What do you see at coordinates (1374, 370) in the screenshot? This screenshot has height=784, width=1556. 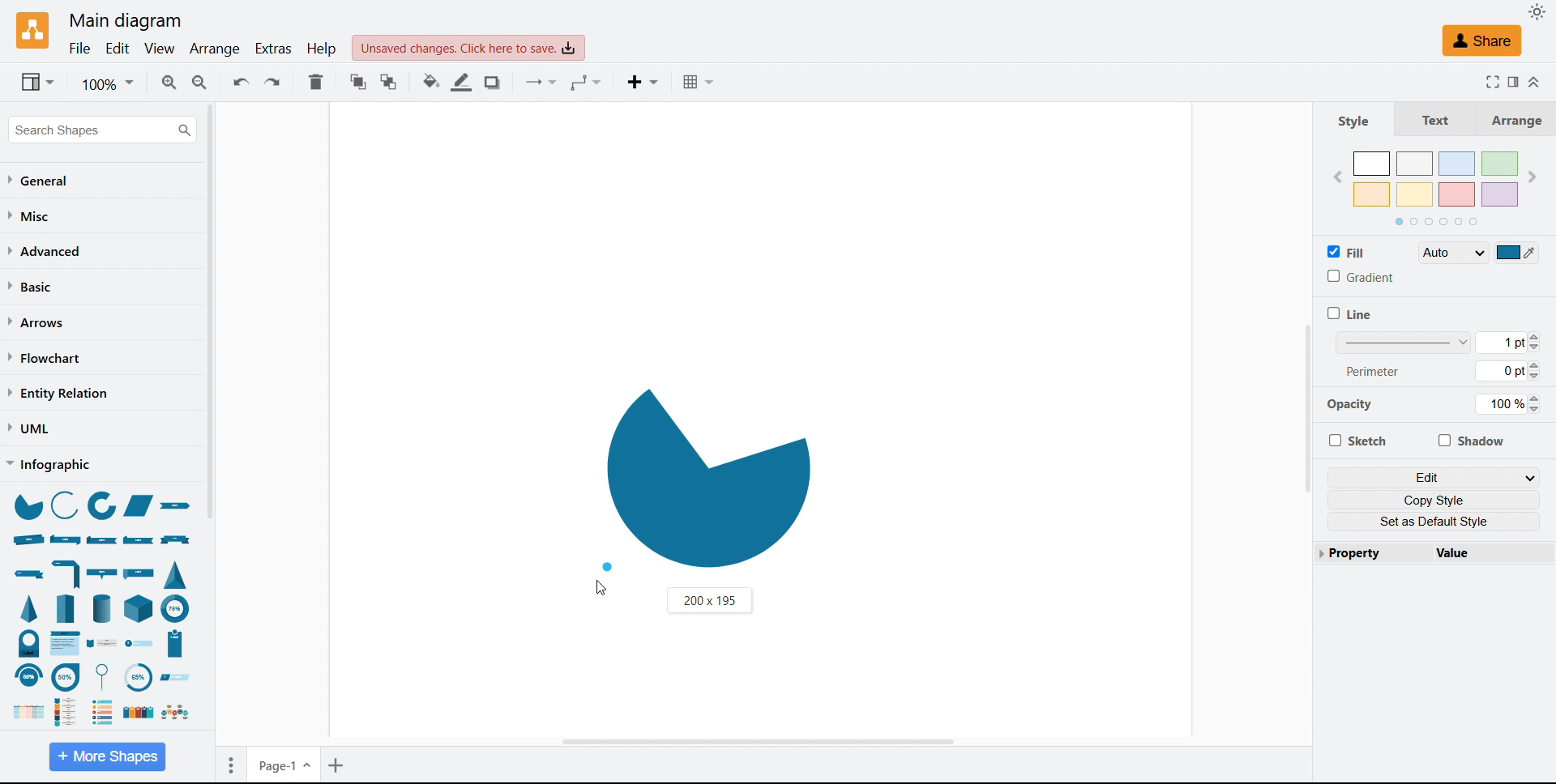 I see `perimeter` at bounding box center [1374, 370].